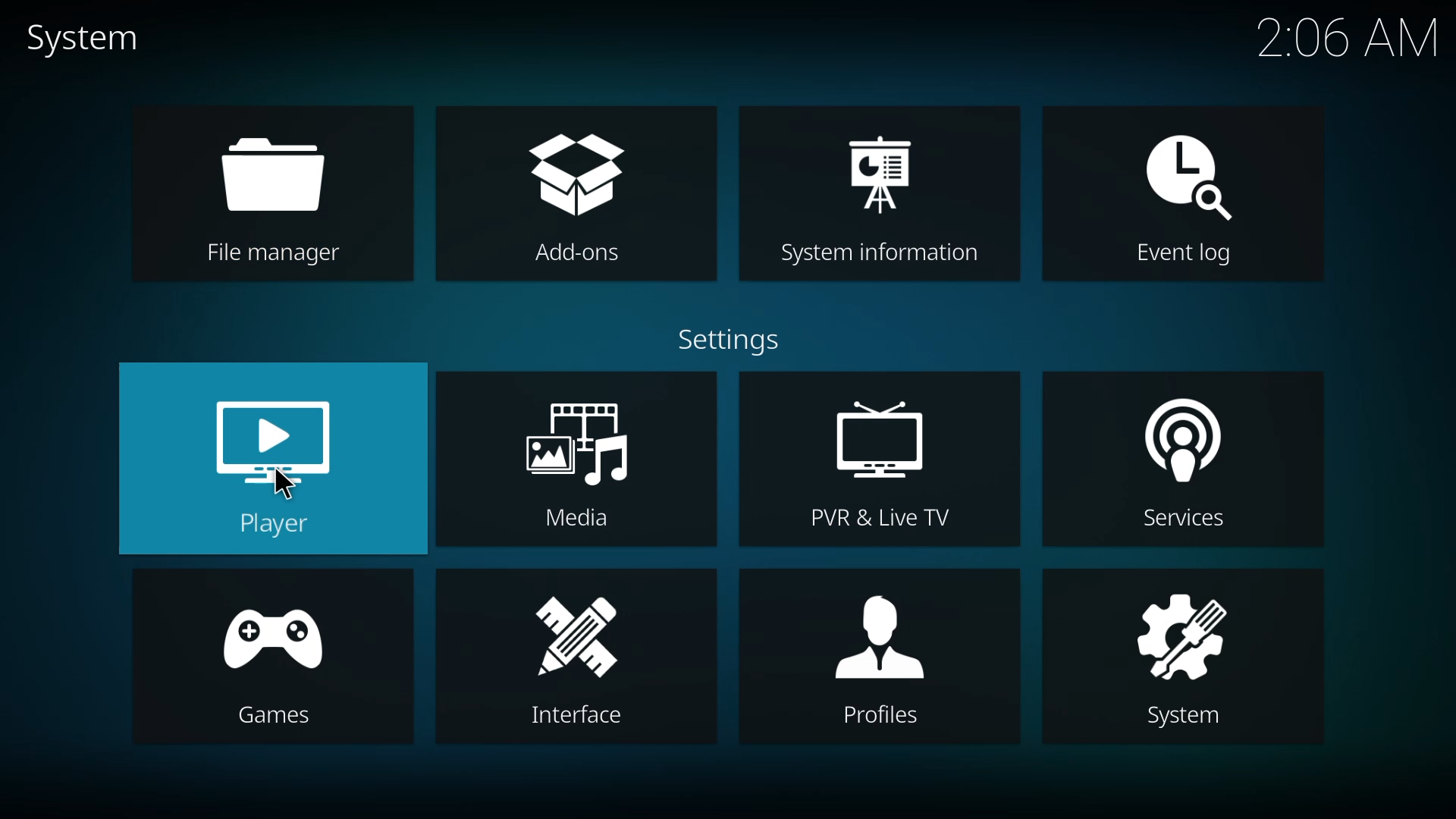  Describe the element at coordinates (274, 656) in the screenshot. I see `games` at that location.